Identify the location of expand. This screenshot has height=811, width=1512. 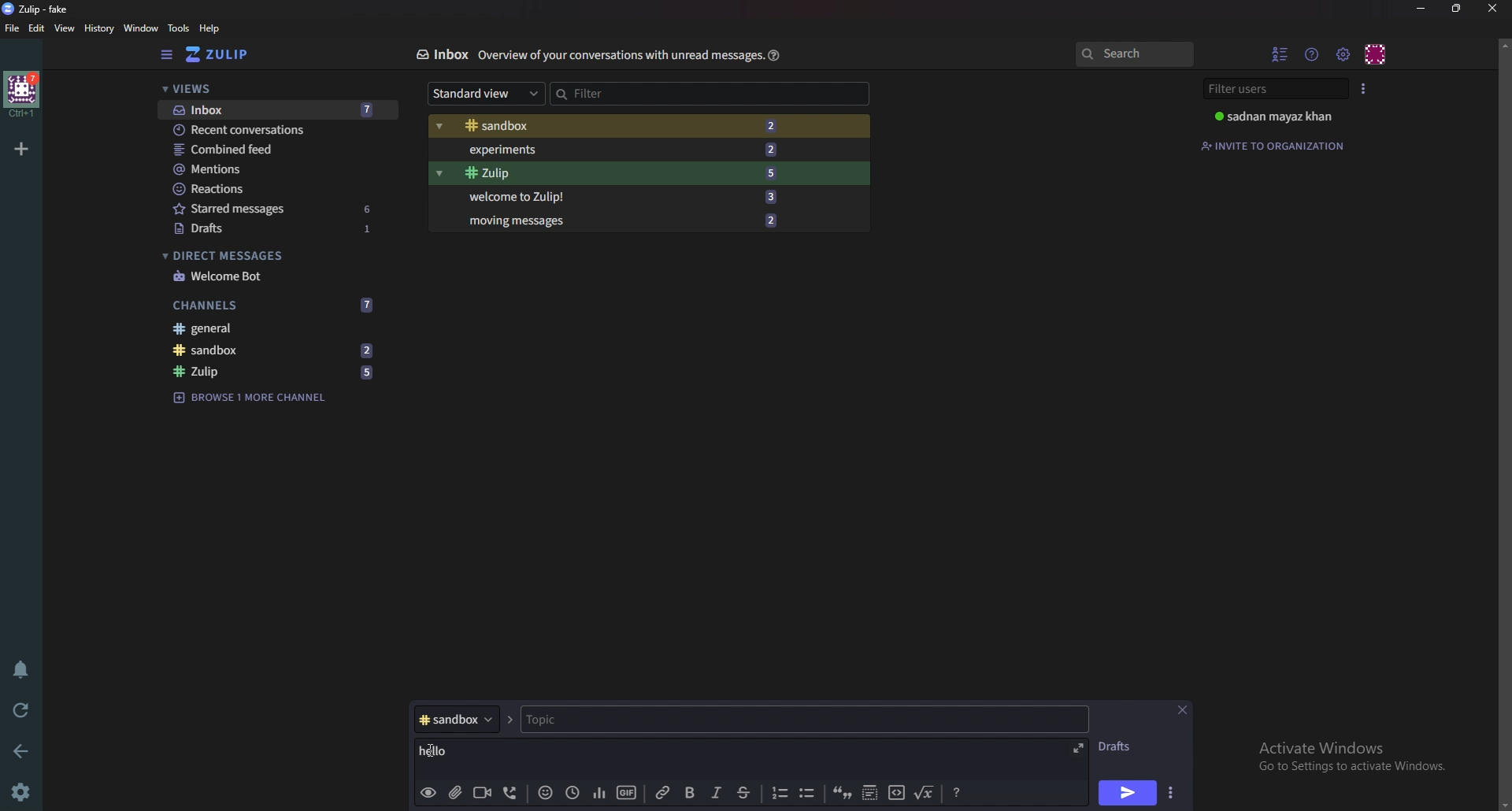
(1079, 748).